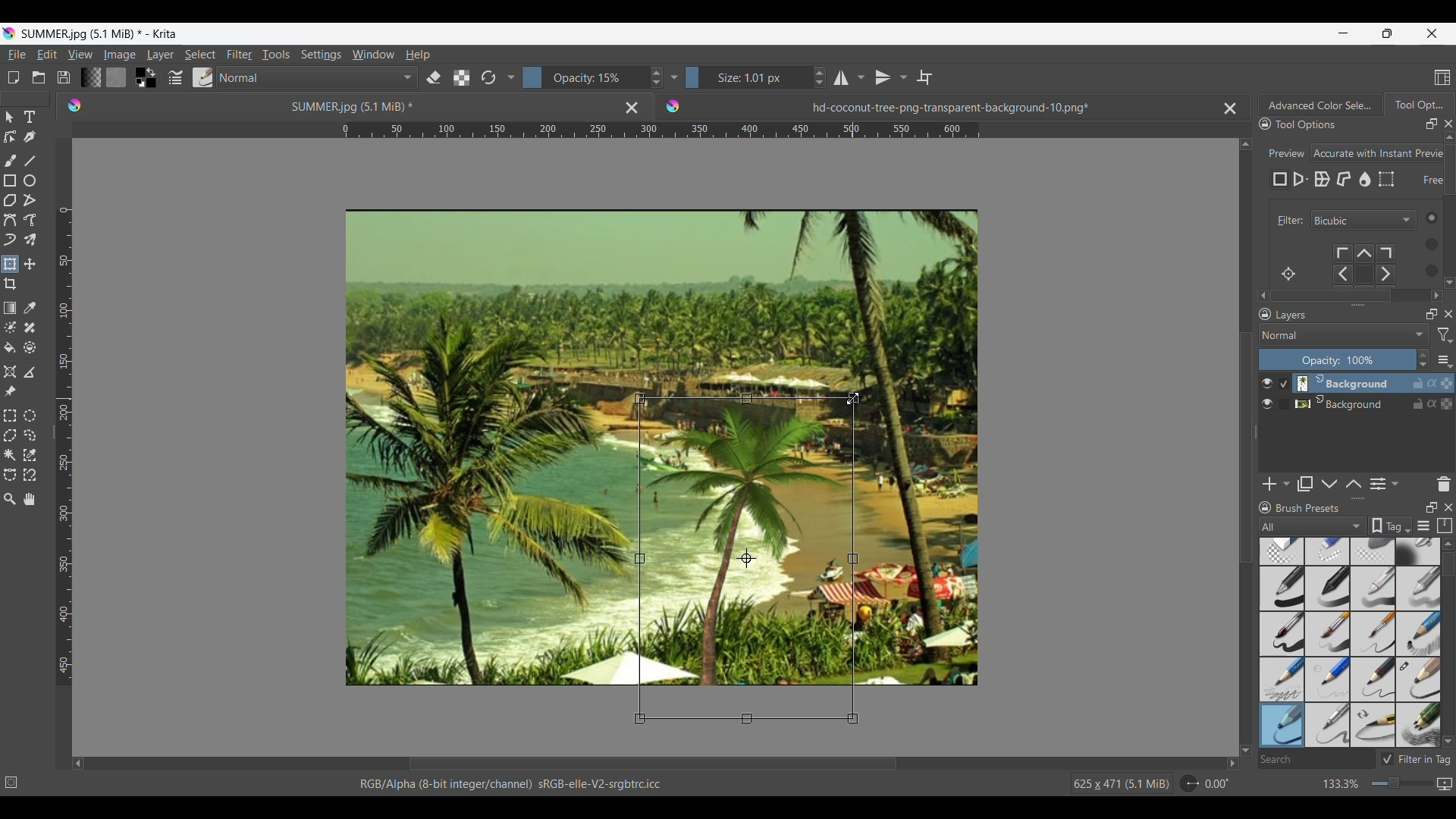 This screenshot has height=819, width=1456. Describe the element at coordinates (29, 136) in the screenshot. I see `Calligraphy` at that location.